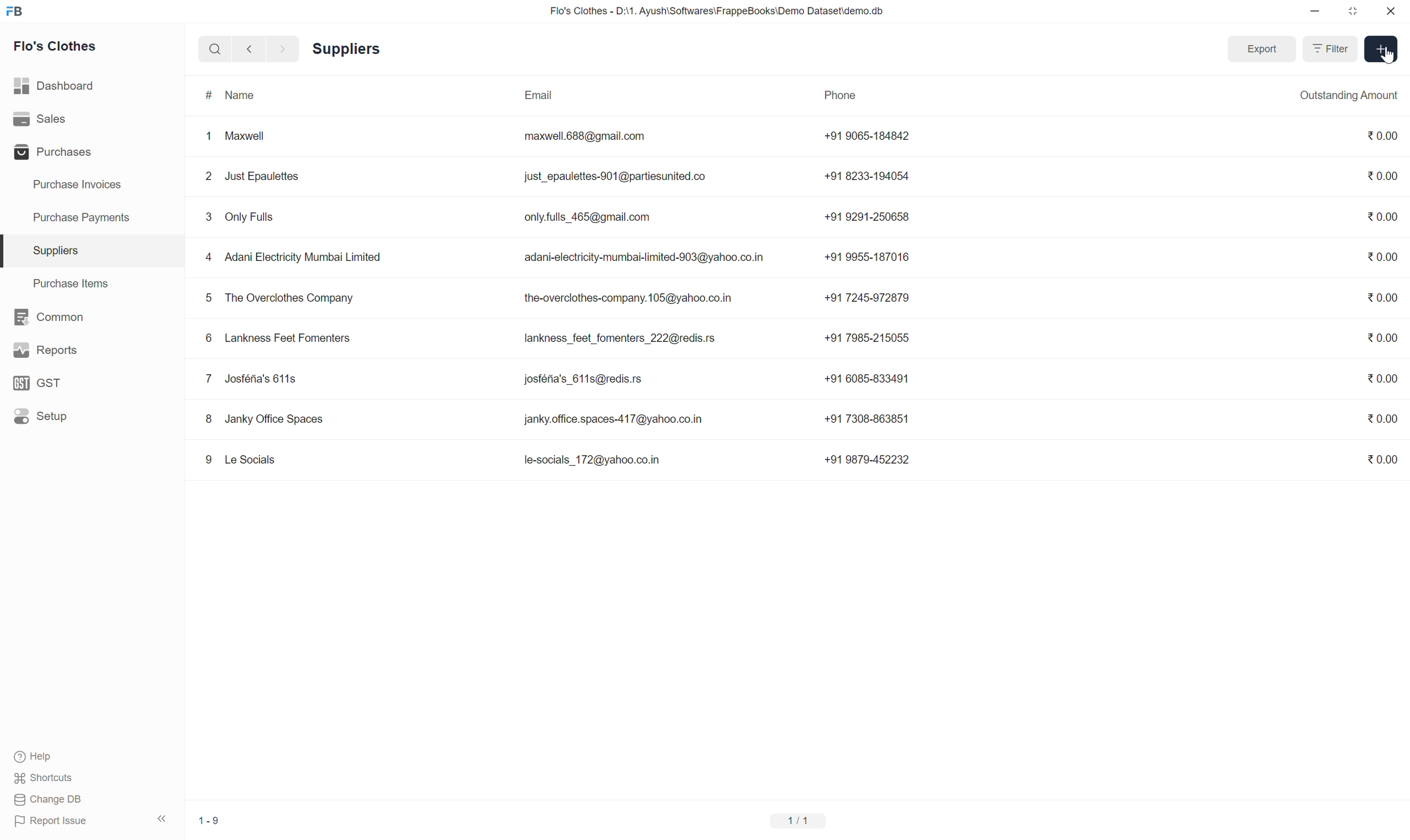 The width and height of the screenshot is (1410, 840). I want to click on Minimize, so click(1315, 11).